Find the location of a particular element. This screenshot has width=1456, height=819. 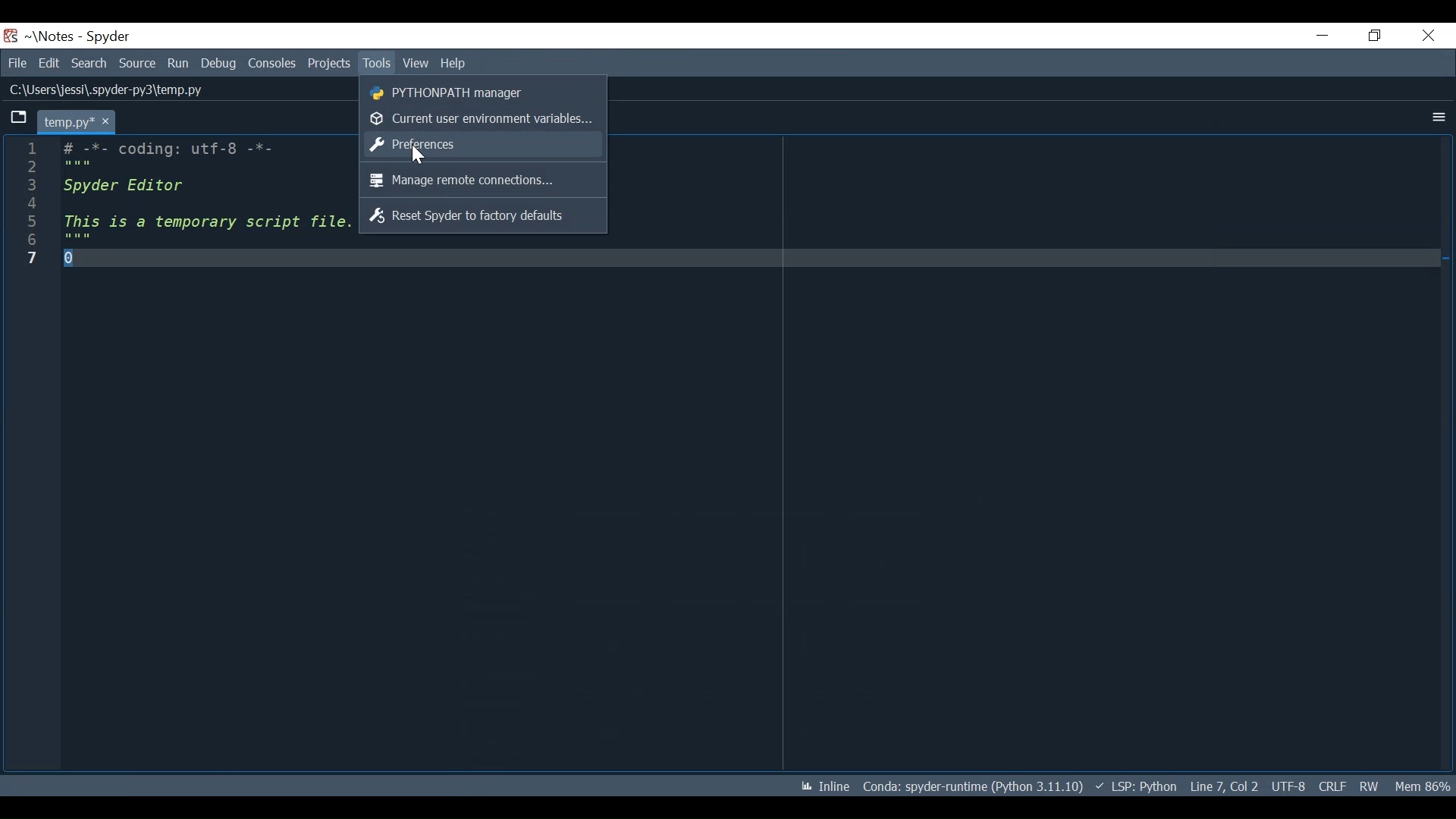

File Encoding is located at coordinates (1288, 785).